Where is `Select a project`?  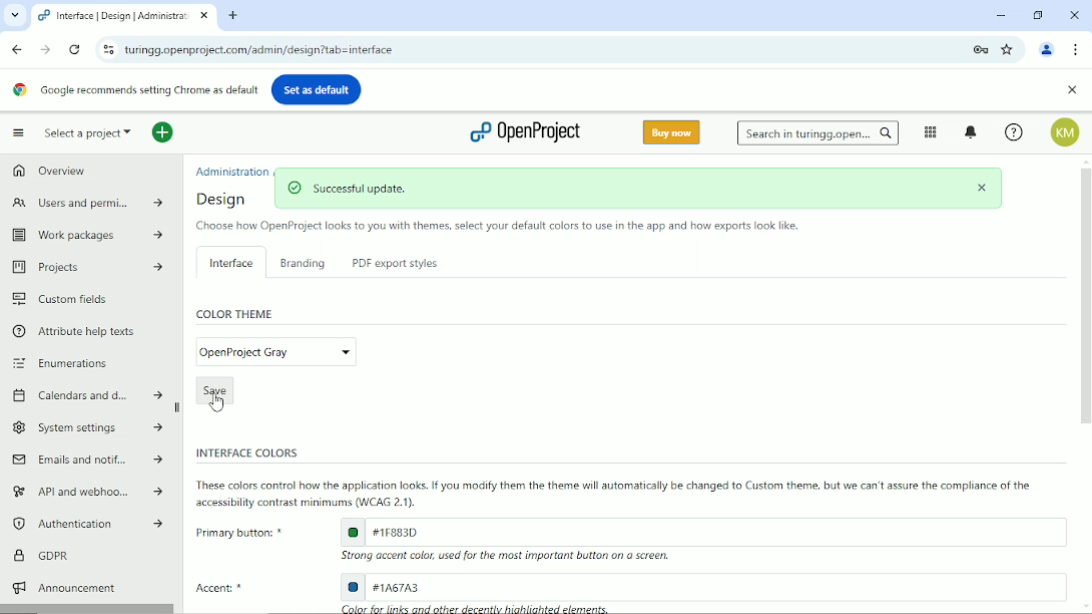
Select a project is located at coordinates (88, 133).